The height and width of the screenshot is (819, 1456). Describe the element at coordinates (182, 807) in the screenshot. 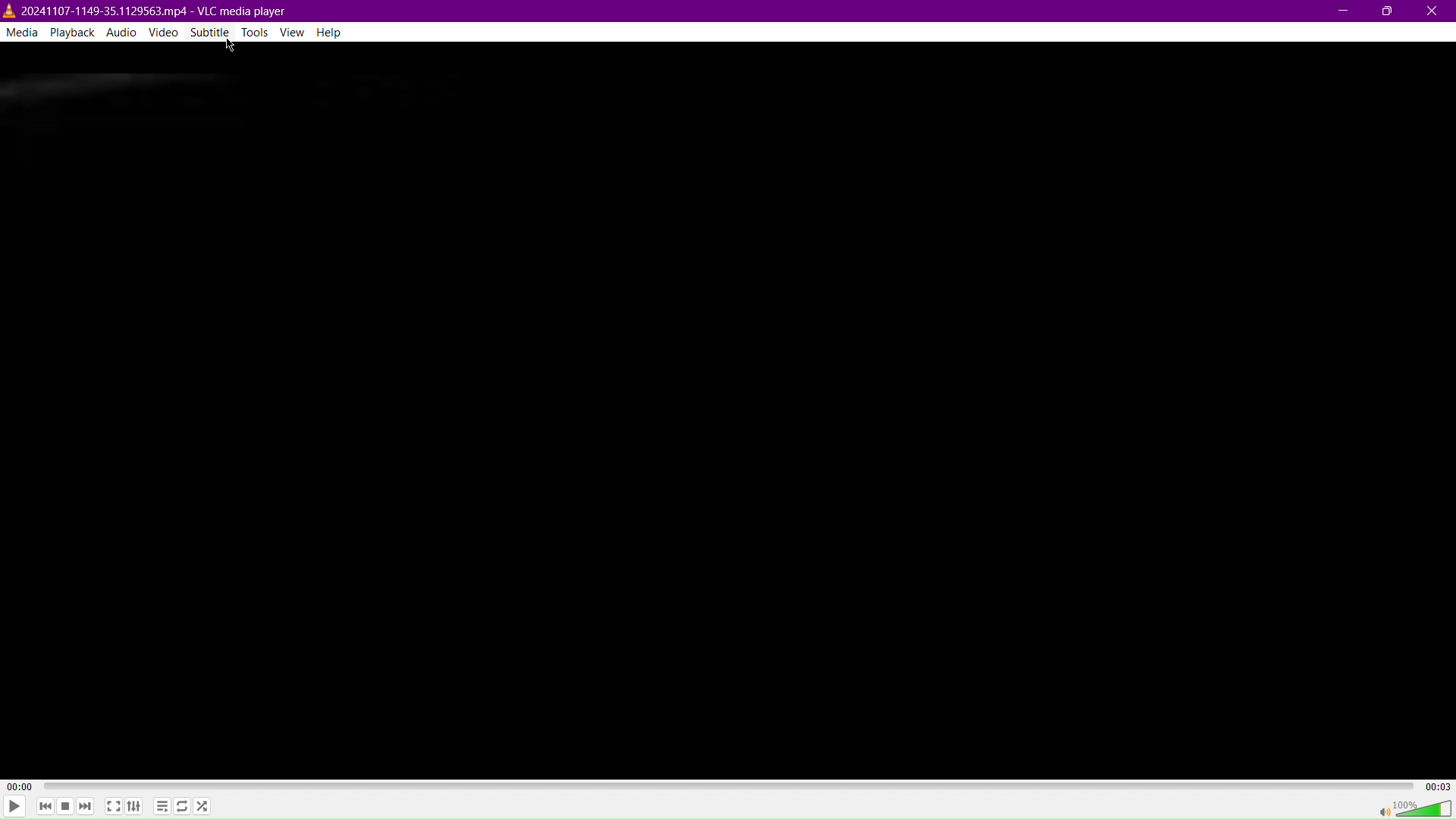

I see `Toggle Loop` at that location.